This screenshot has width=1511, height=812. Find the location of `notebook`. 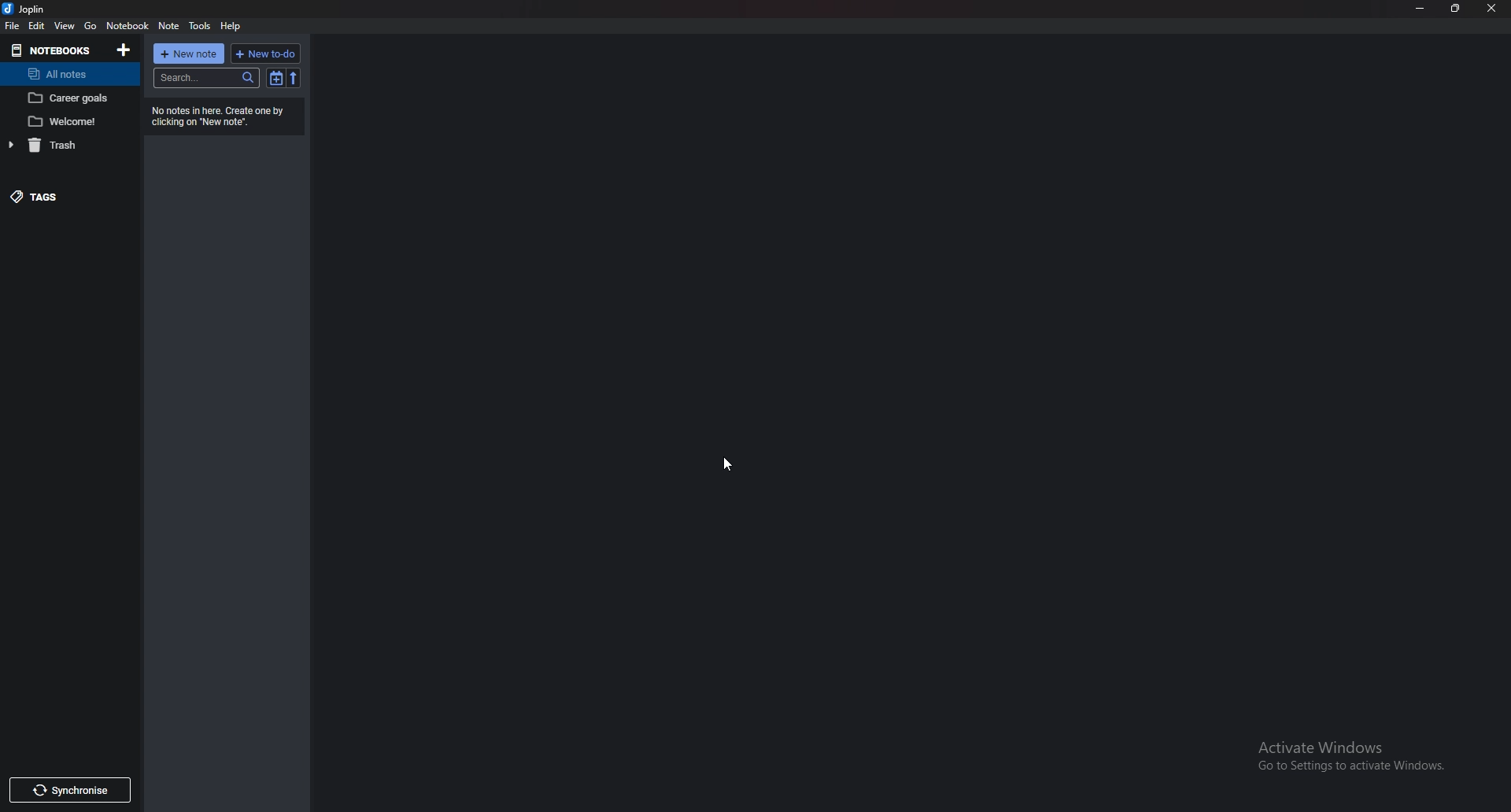

notebook is located at coordinates (70, 120).